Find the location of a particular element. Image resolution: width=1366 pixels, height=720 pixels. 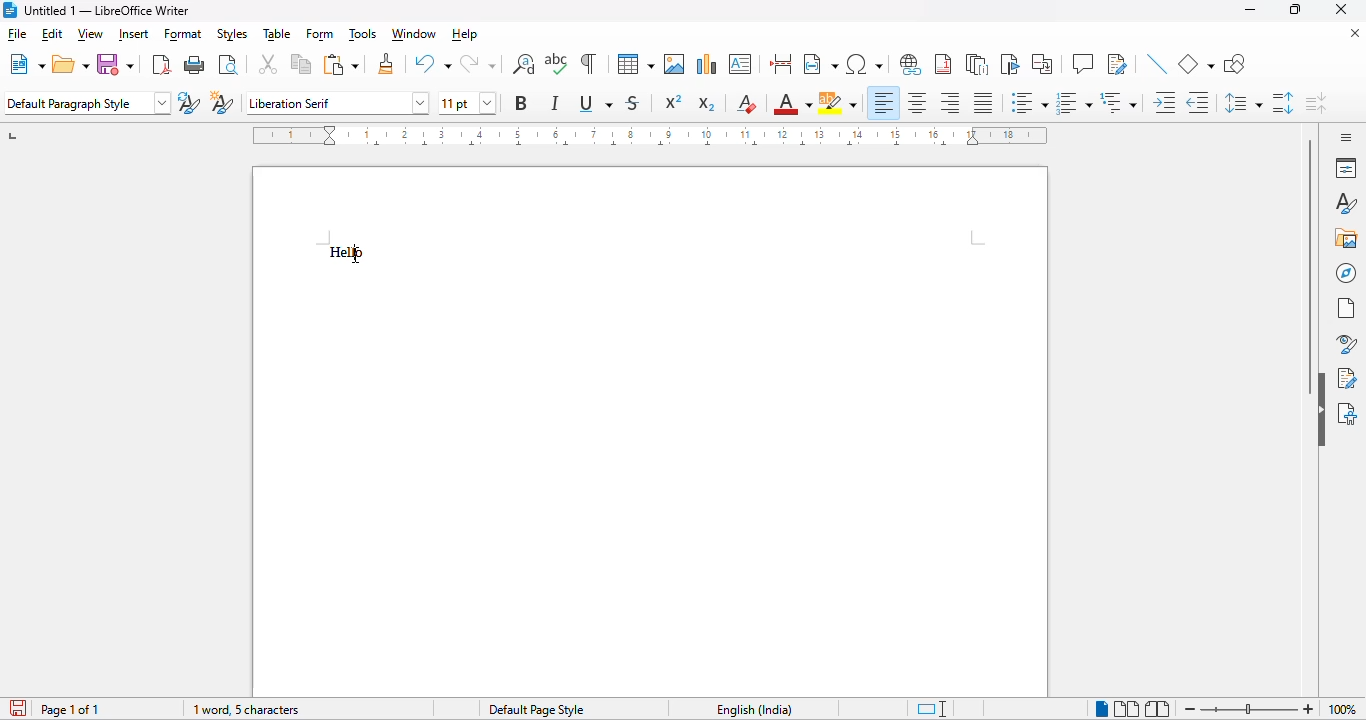

increase paragraph spacing is located at coordinates (1284, 104).